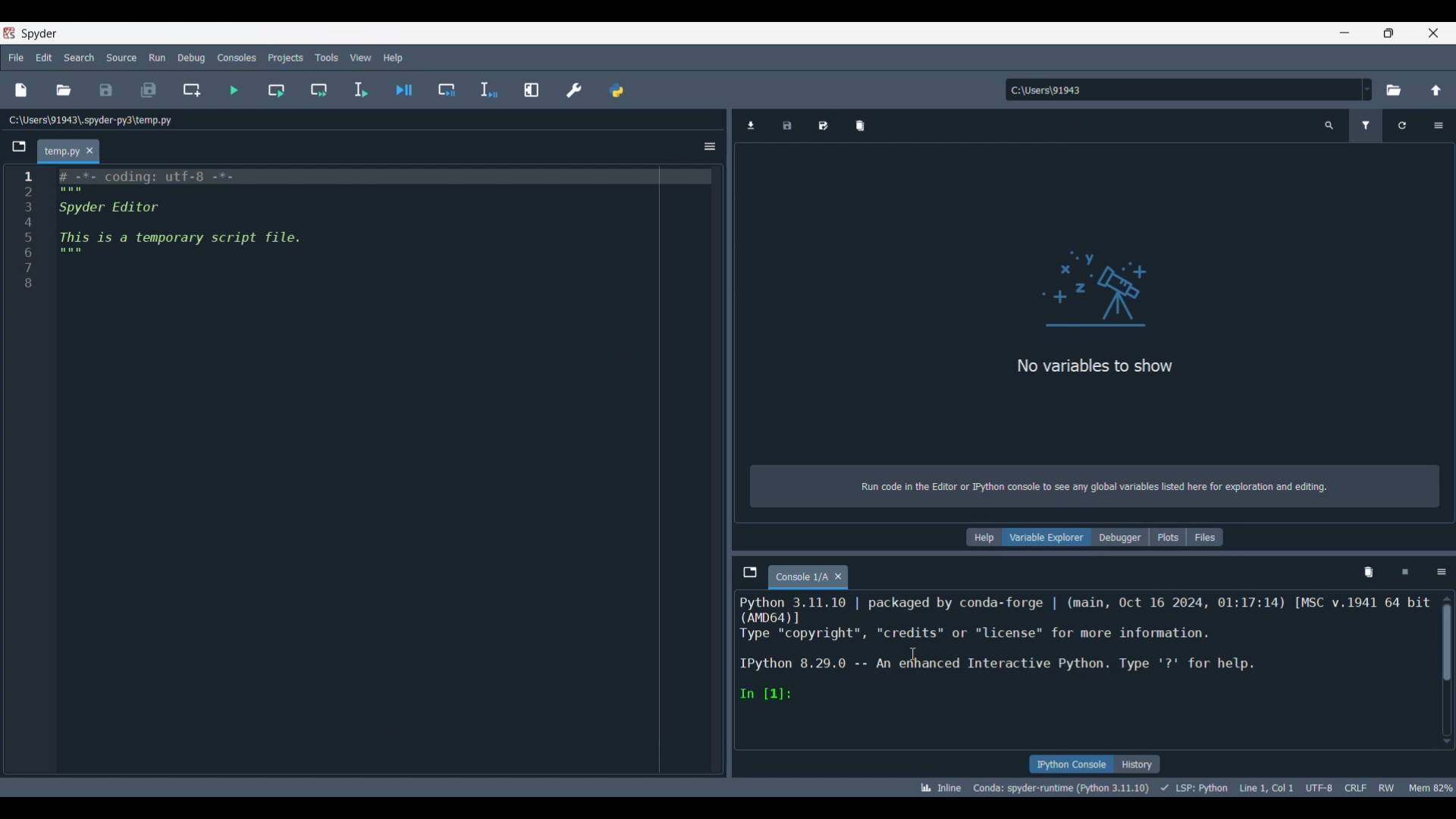  What do you see at coordinates (751, 126) in the screenshot?
I see `Import data` at bounding box center [751, 126].